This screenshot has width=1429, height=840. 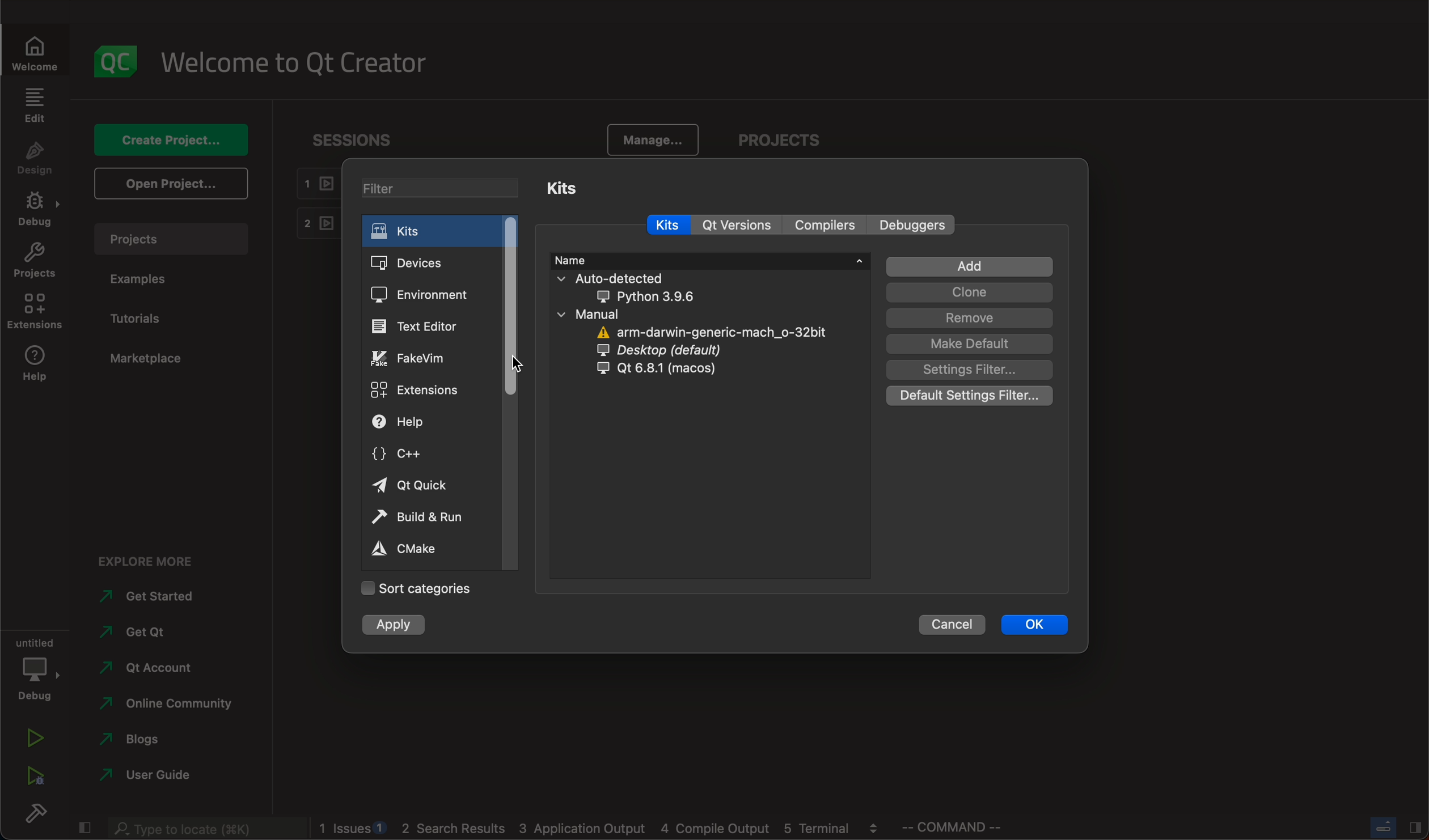 What do you see at coordinates (413, 421) in the screenshot?
I see `help` at bounding box center [413, 421].